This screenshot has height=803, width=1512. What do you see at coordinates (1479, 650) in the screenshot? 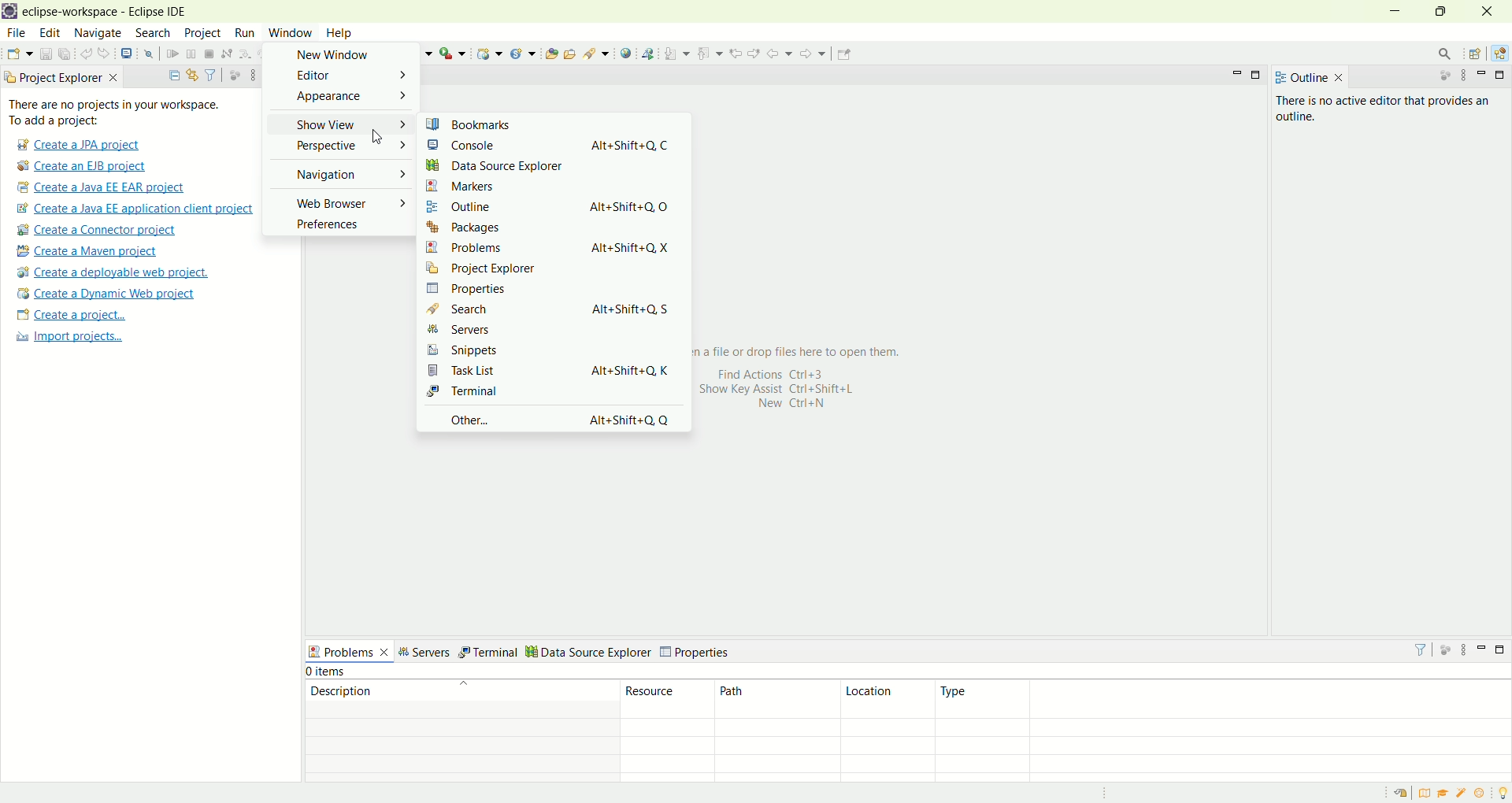
I see `minimize` at bounding box center [1479, 650].